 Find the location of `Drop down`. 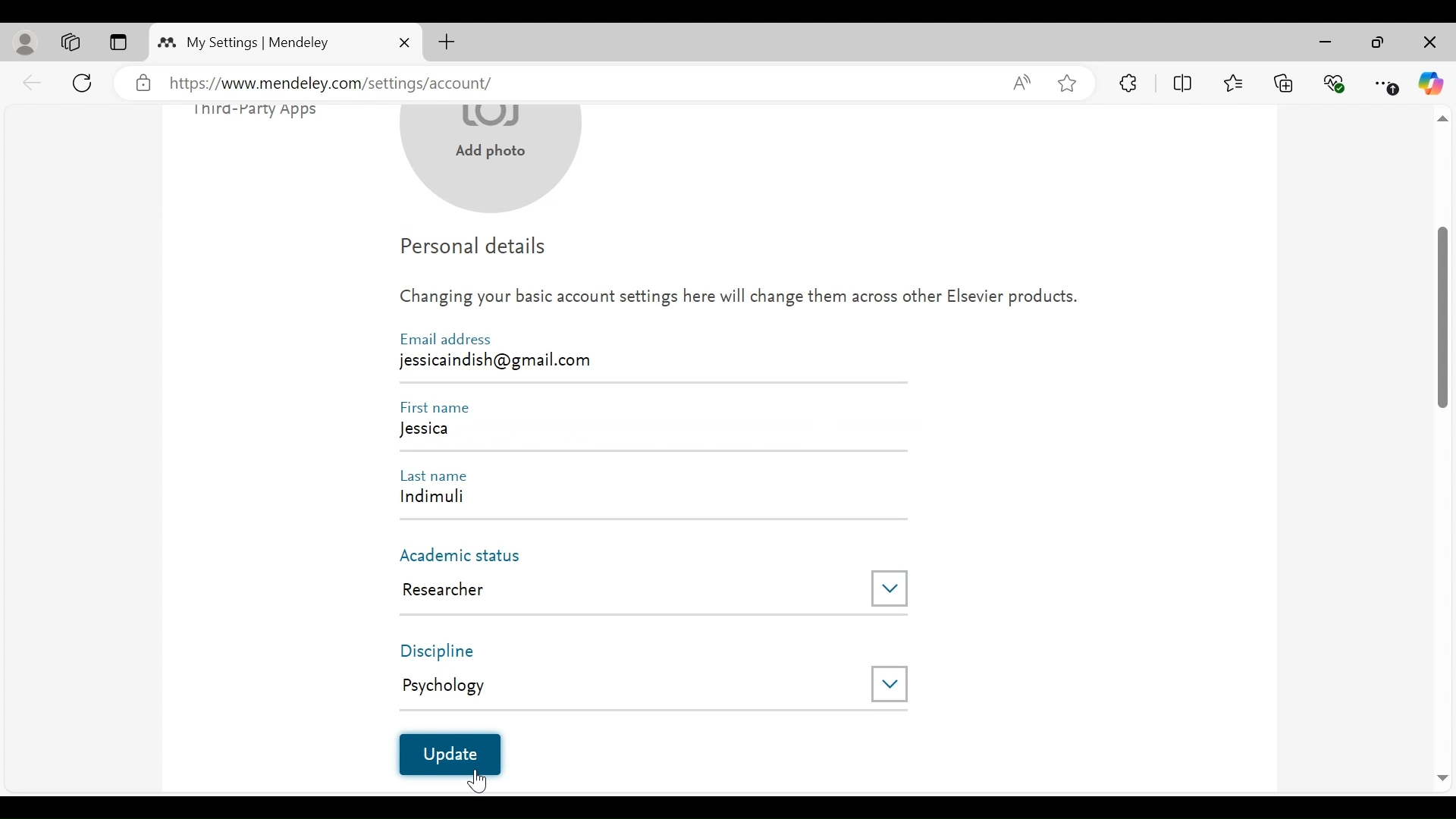

Drop down is located at coordinates (890, 589).